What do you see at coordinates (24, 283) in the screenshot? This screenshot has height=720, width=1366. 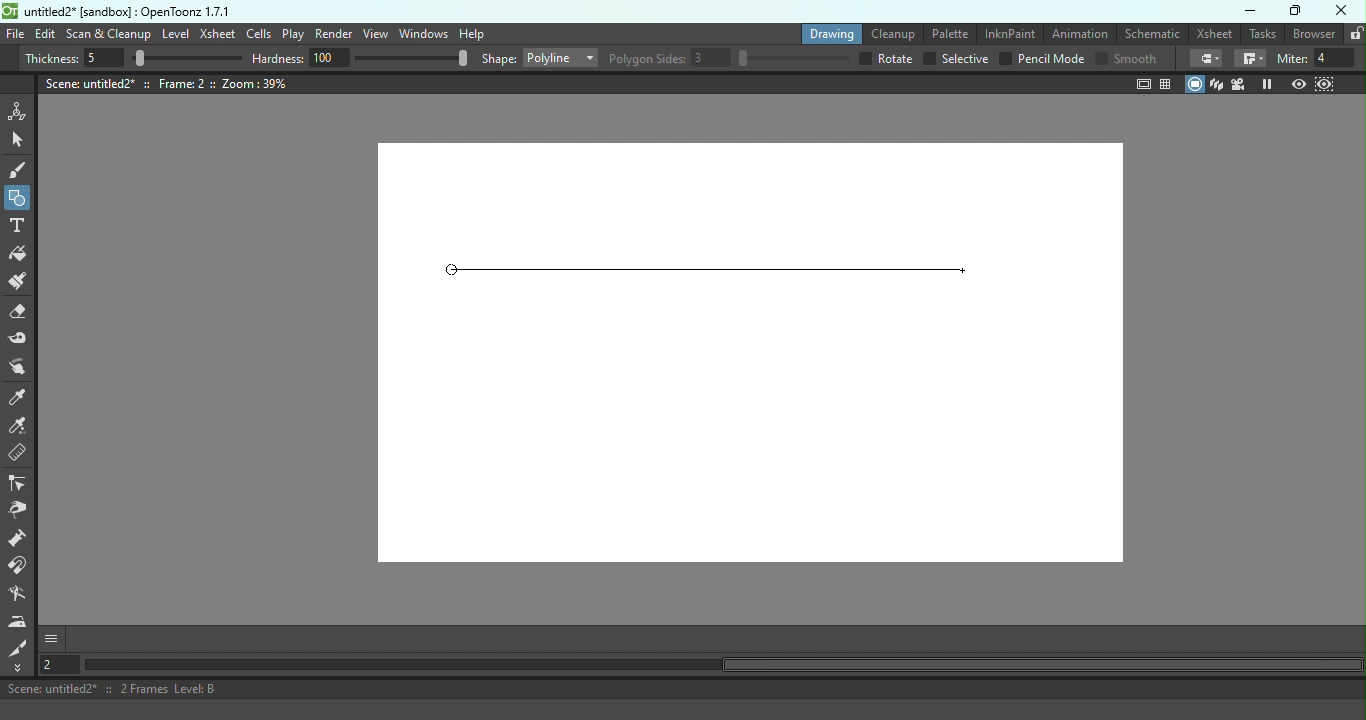 I see `Paint Brush tool` at bounding box center [24, 283].